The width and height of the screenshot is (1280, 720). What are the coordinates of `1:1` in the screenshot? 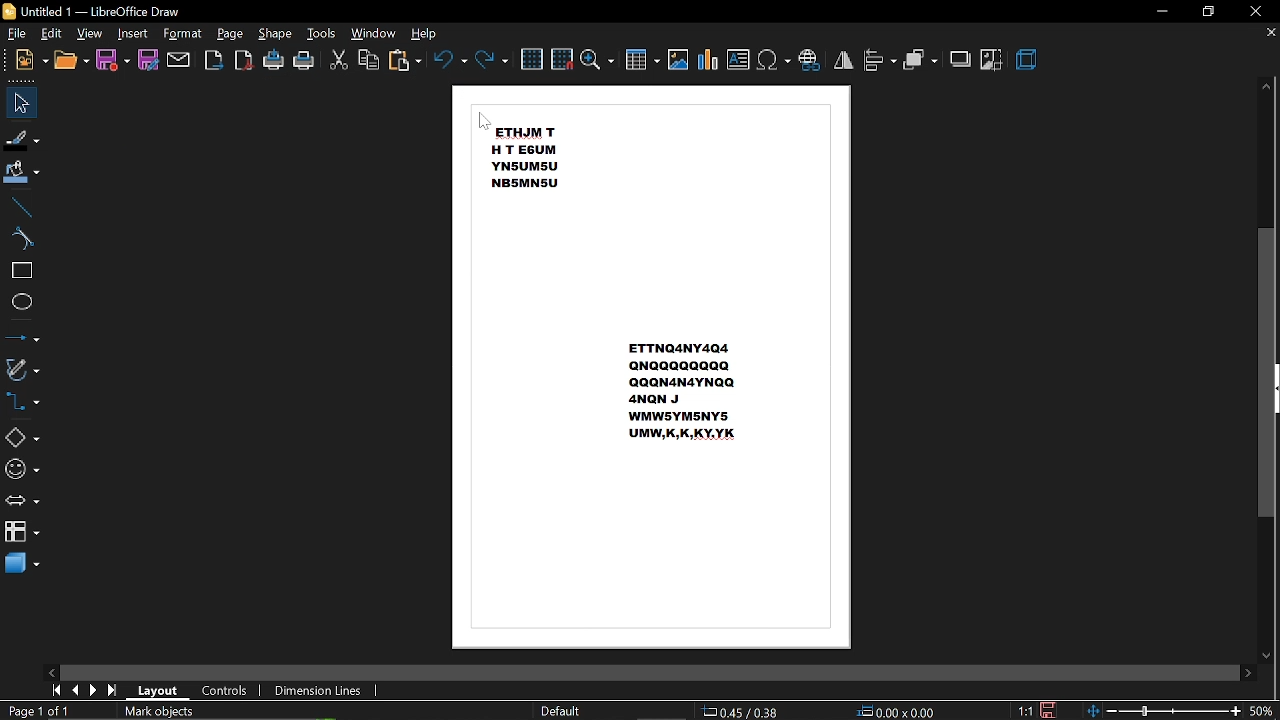 It's located at (1023, 710).